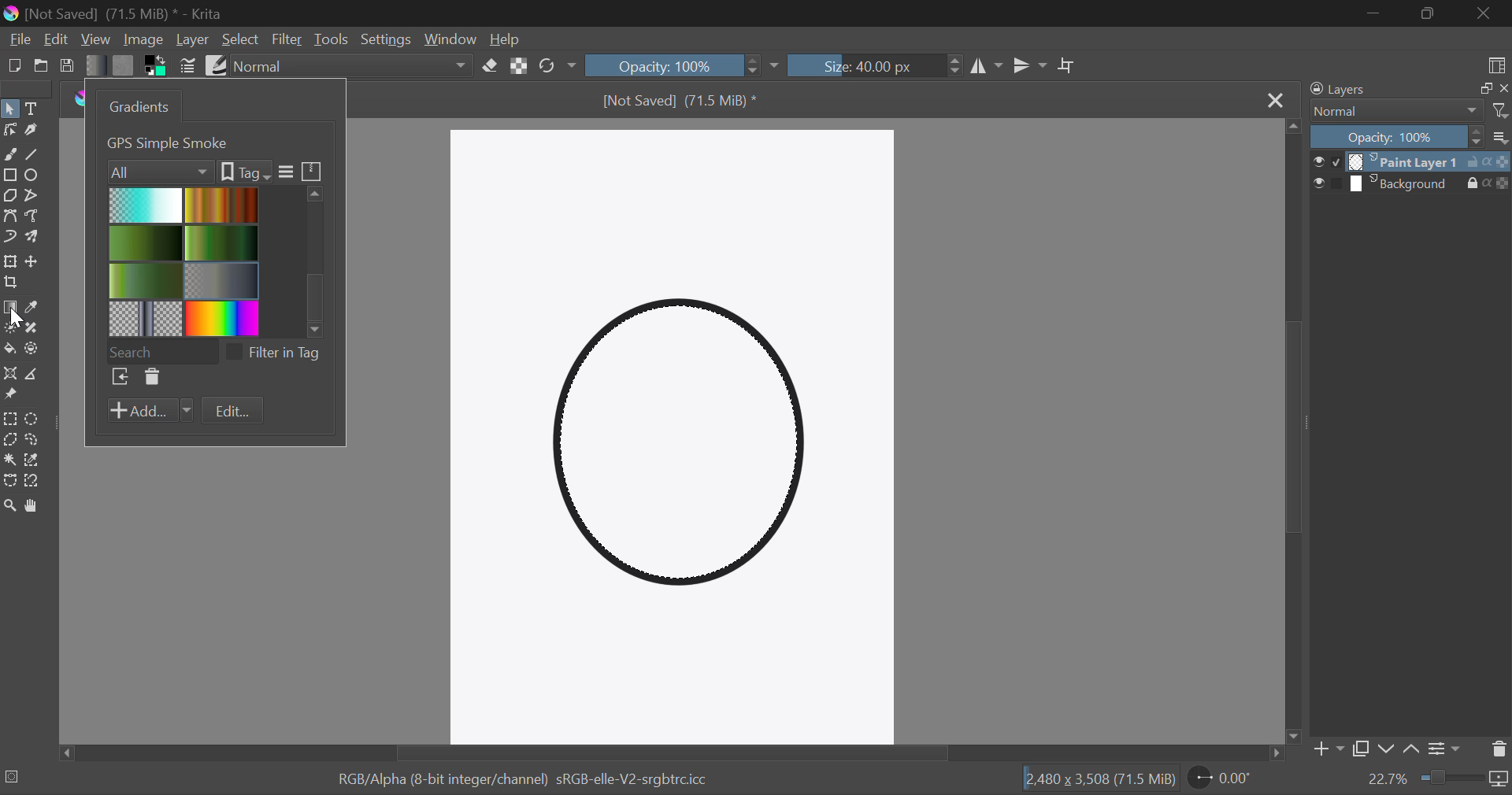 Image resolution: width=1512 pixels, height=795 pixels. Describe the element at coordinates (1488, 183) in the screenshot. I see `actions` at that location.